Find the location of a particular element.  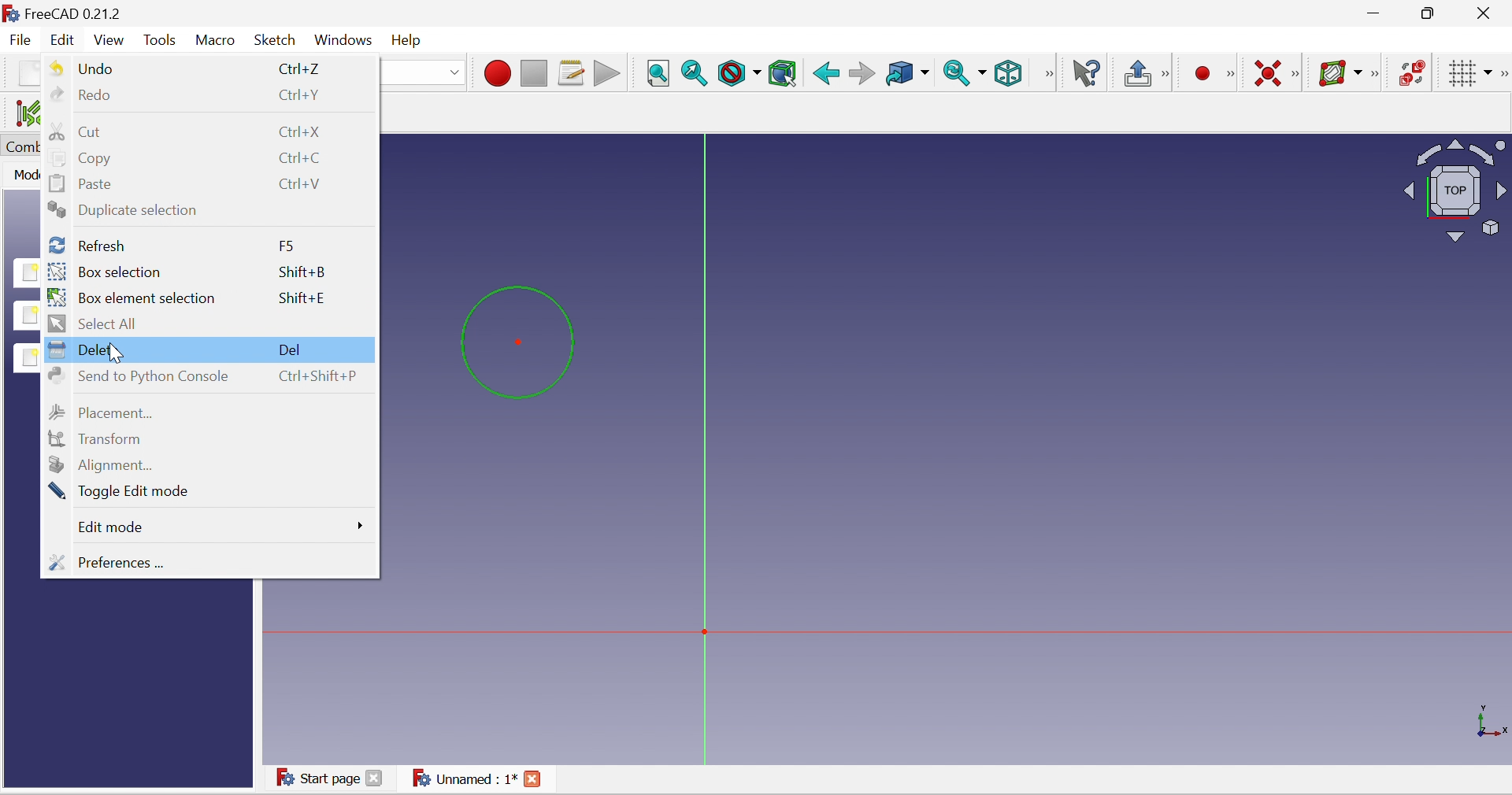

Alignment is located at coordinates (102, 463).